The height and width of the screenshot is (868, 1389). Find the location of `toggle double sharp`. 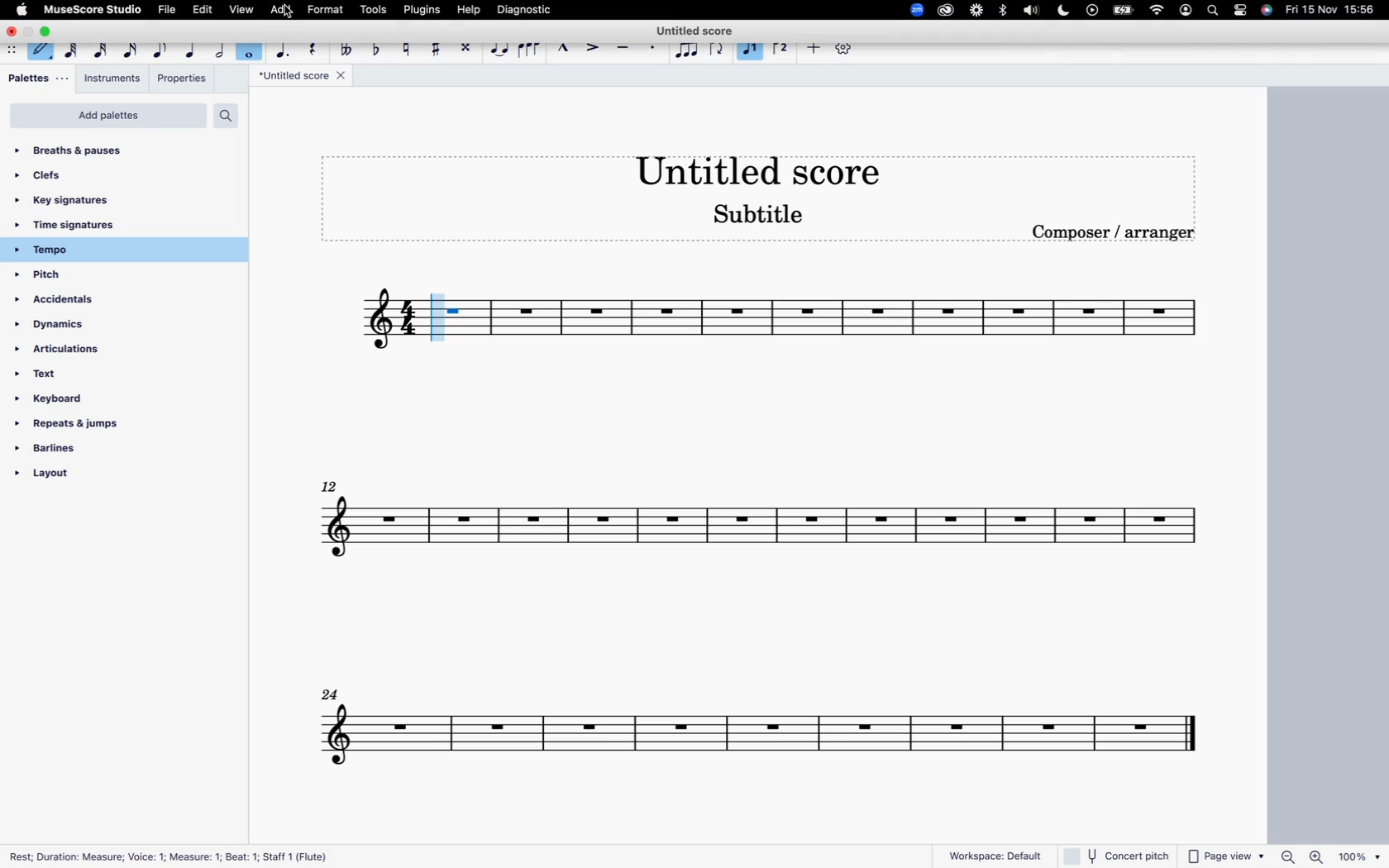

toggle double sharp is located at coordinates (465, 48).